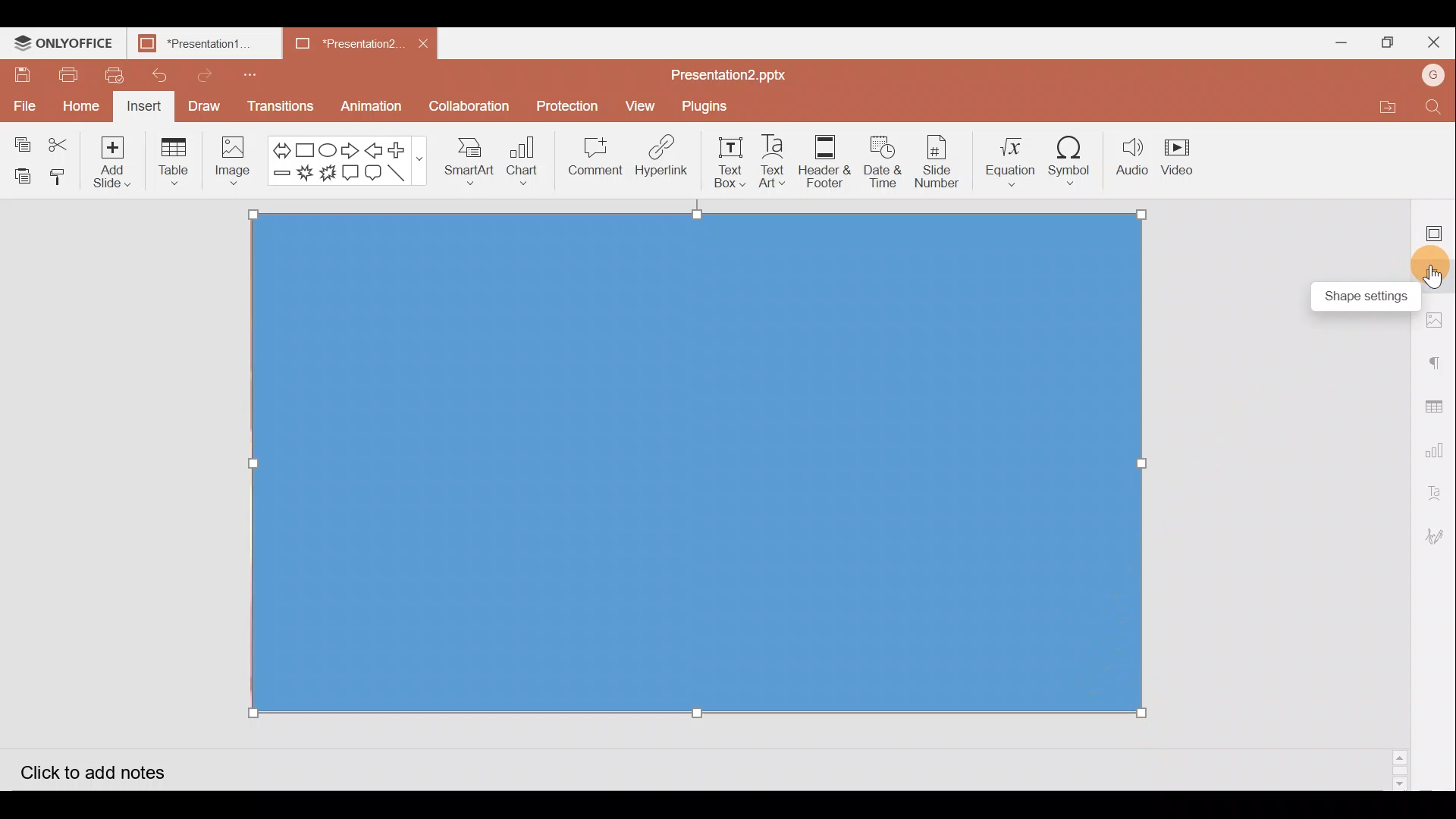  Describe the element at coordinates (352, 173) in the screenshot. I see `Rectangular callout` at that location.